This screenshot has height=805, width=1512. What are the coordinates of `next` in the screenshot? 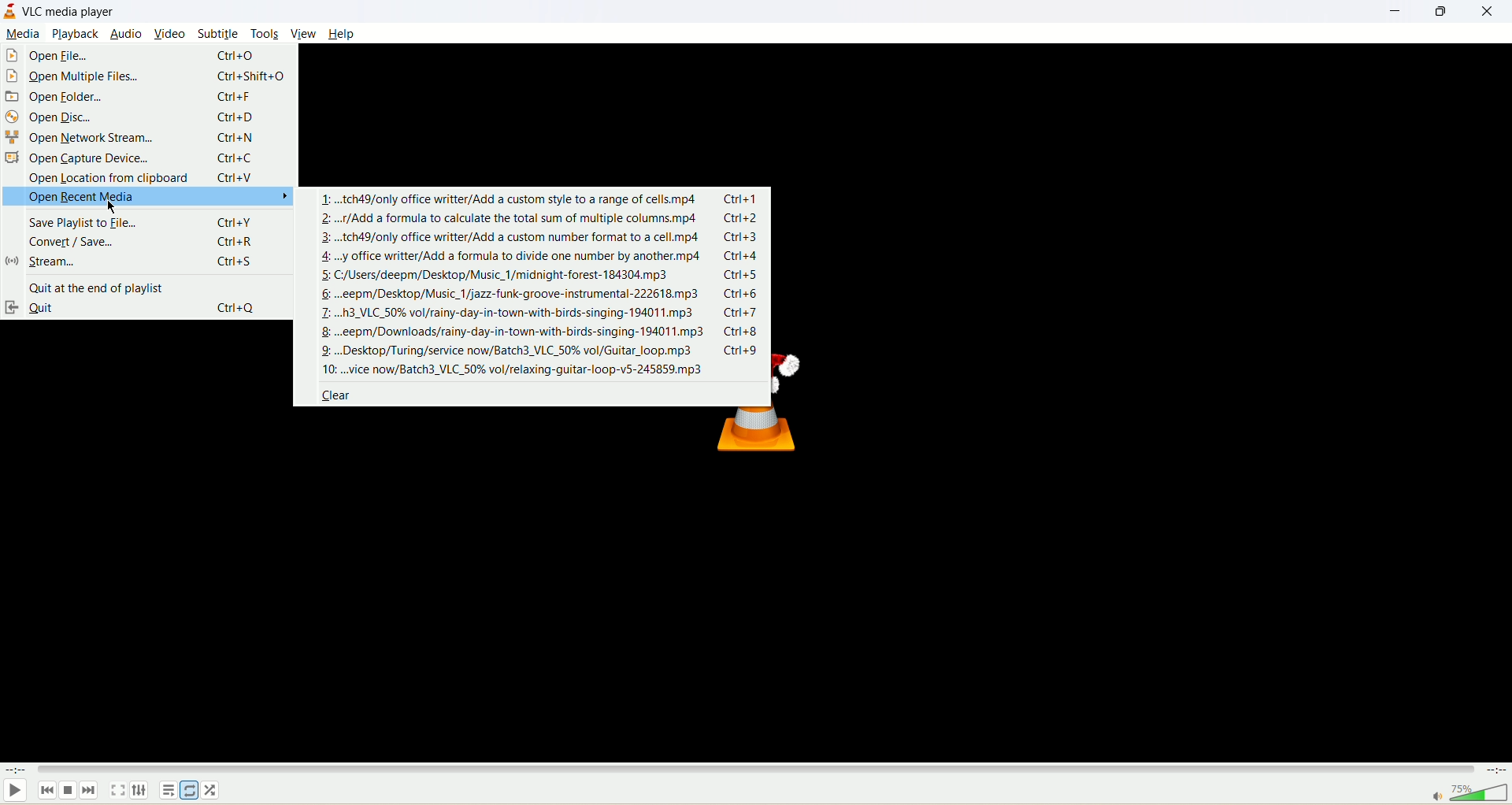 It's located at (91, 792).